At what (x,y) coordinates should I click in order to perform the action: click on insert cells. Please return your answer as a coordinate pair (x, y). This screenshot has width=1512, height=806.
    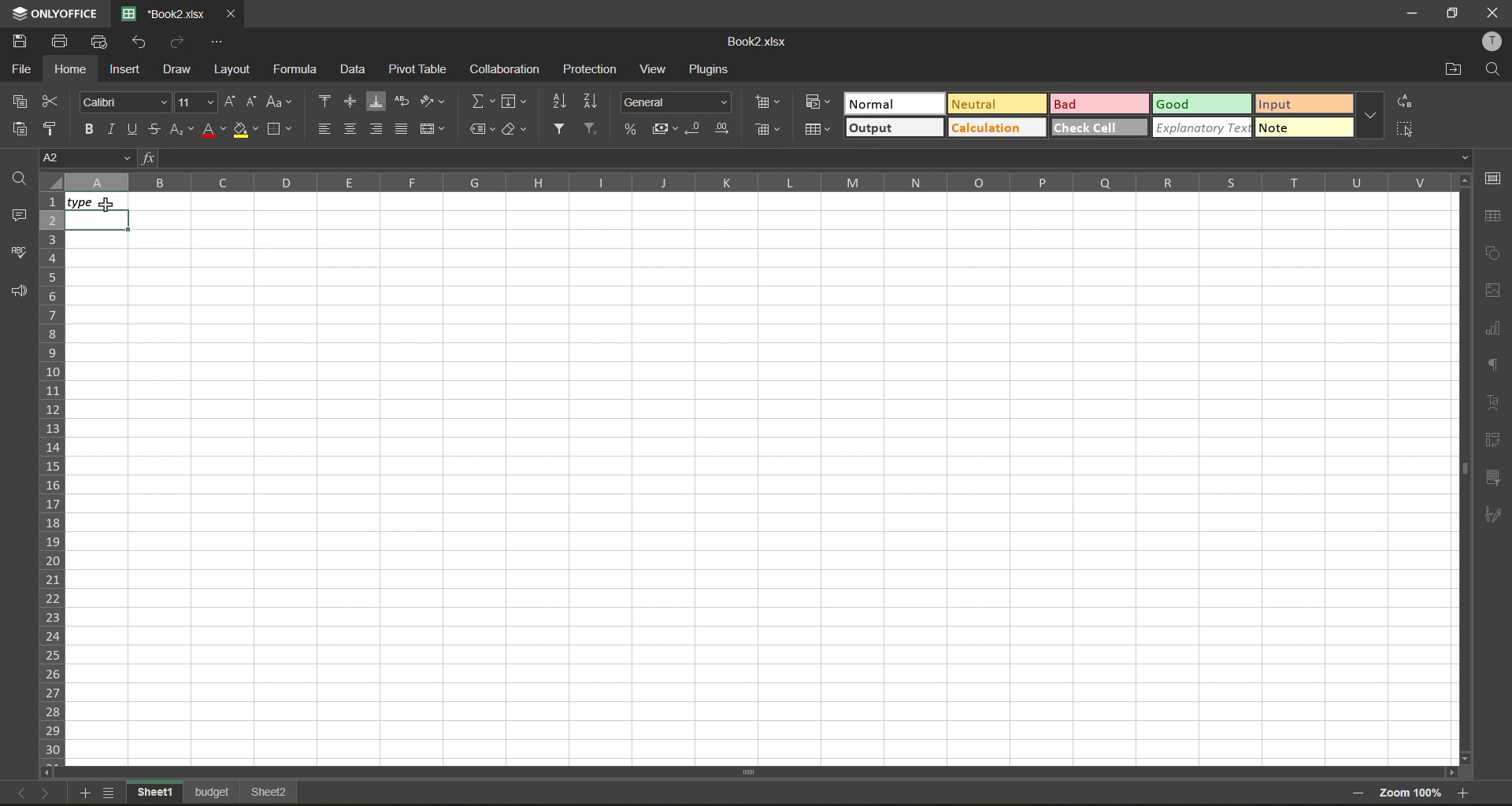
    Looking at the image, I should click on (768, 102).